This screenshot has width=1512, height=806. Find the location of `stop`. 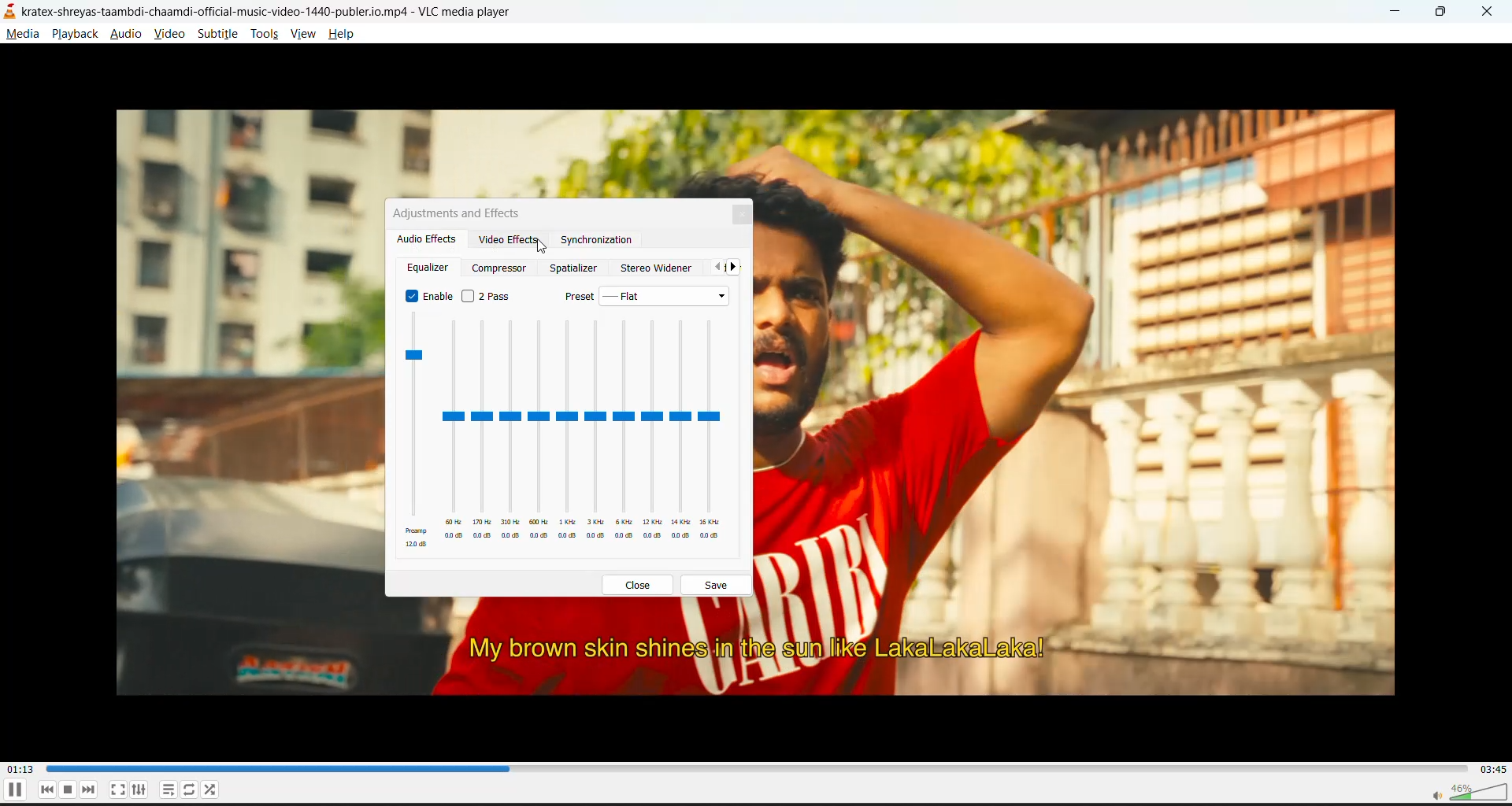

stop is located at coordinates (70, 790).